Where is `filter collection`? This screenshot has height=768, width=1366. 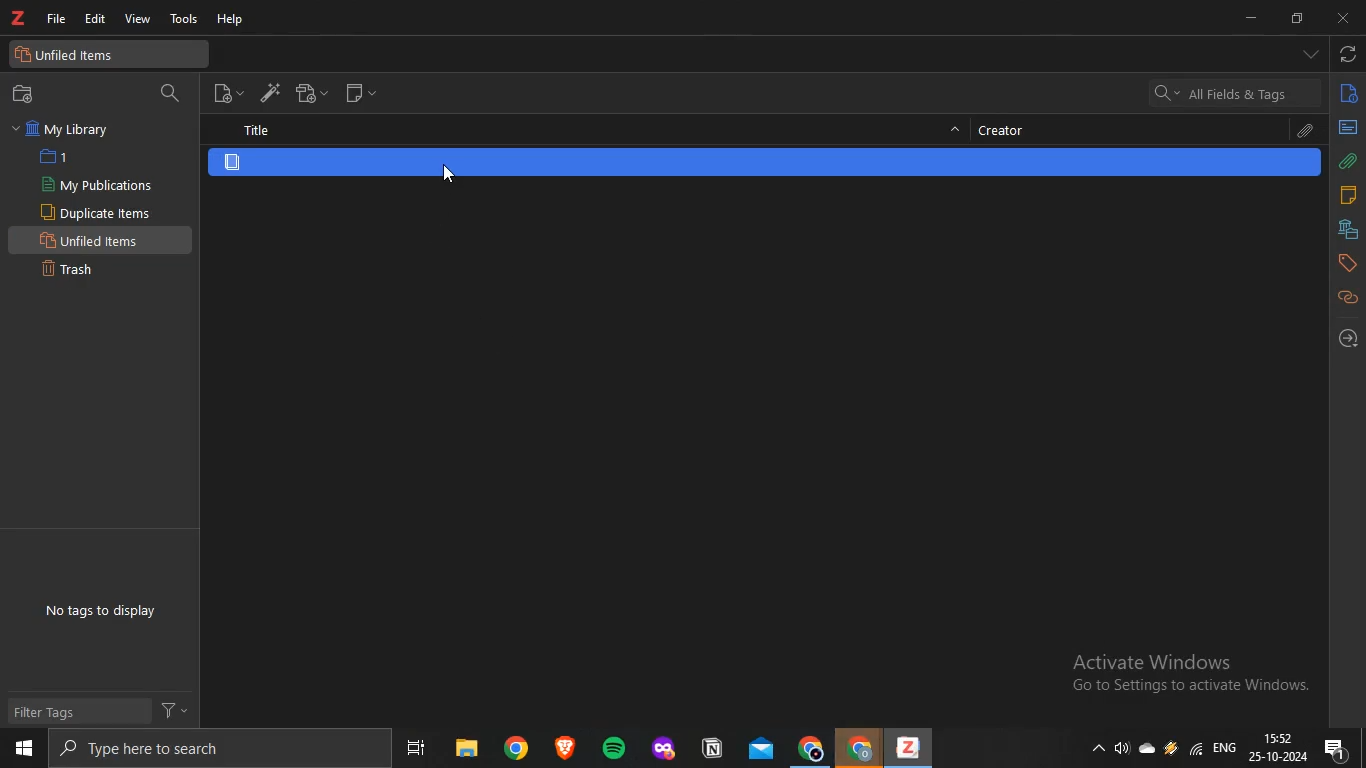 filter collection is located at coordinates (172, 94).